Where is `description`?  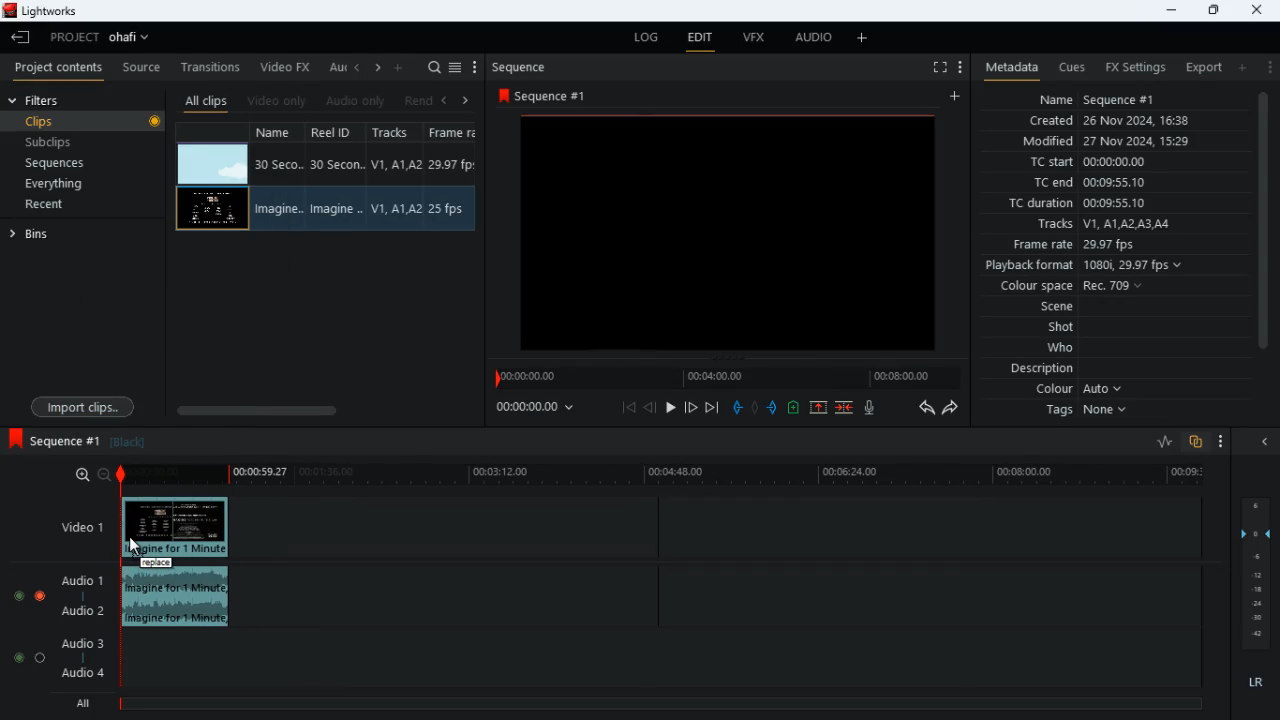 description is located at coordinates (1043, 369).